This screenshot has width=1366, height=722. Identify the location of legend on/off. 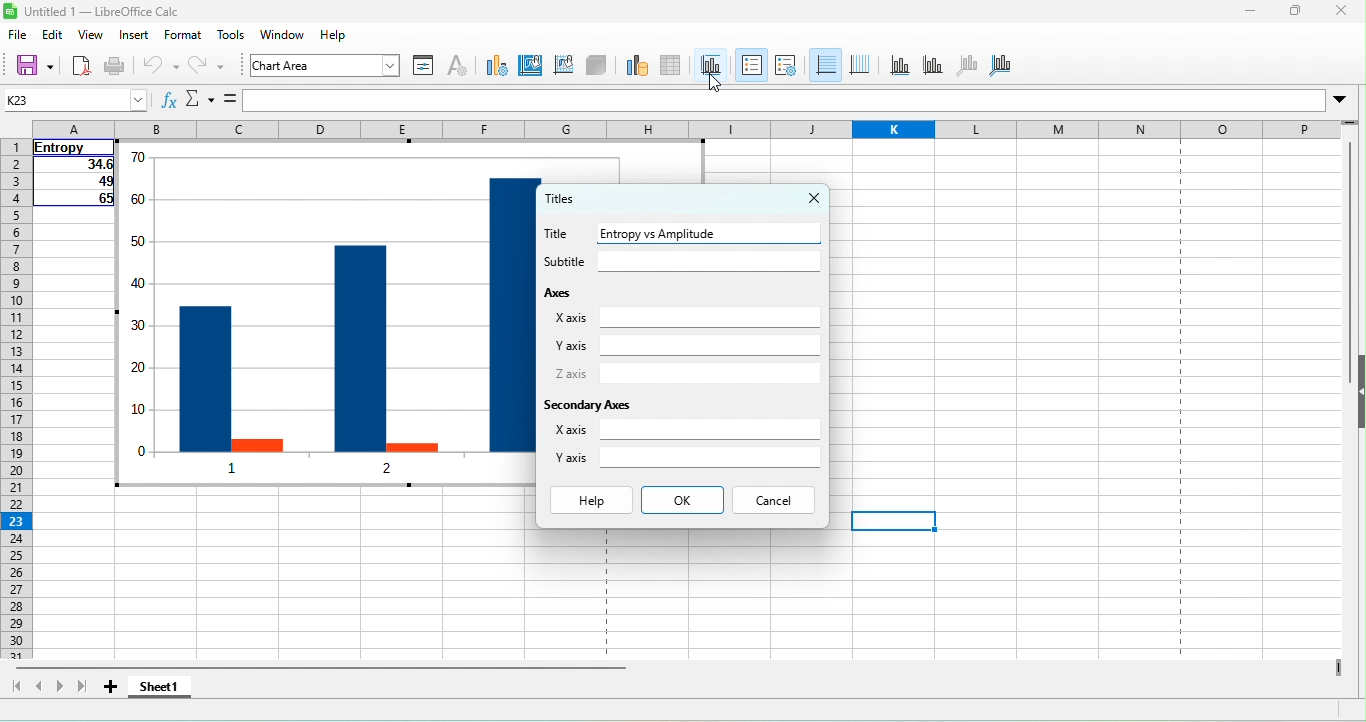
(751, 67).